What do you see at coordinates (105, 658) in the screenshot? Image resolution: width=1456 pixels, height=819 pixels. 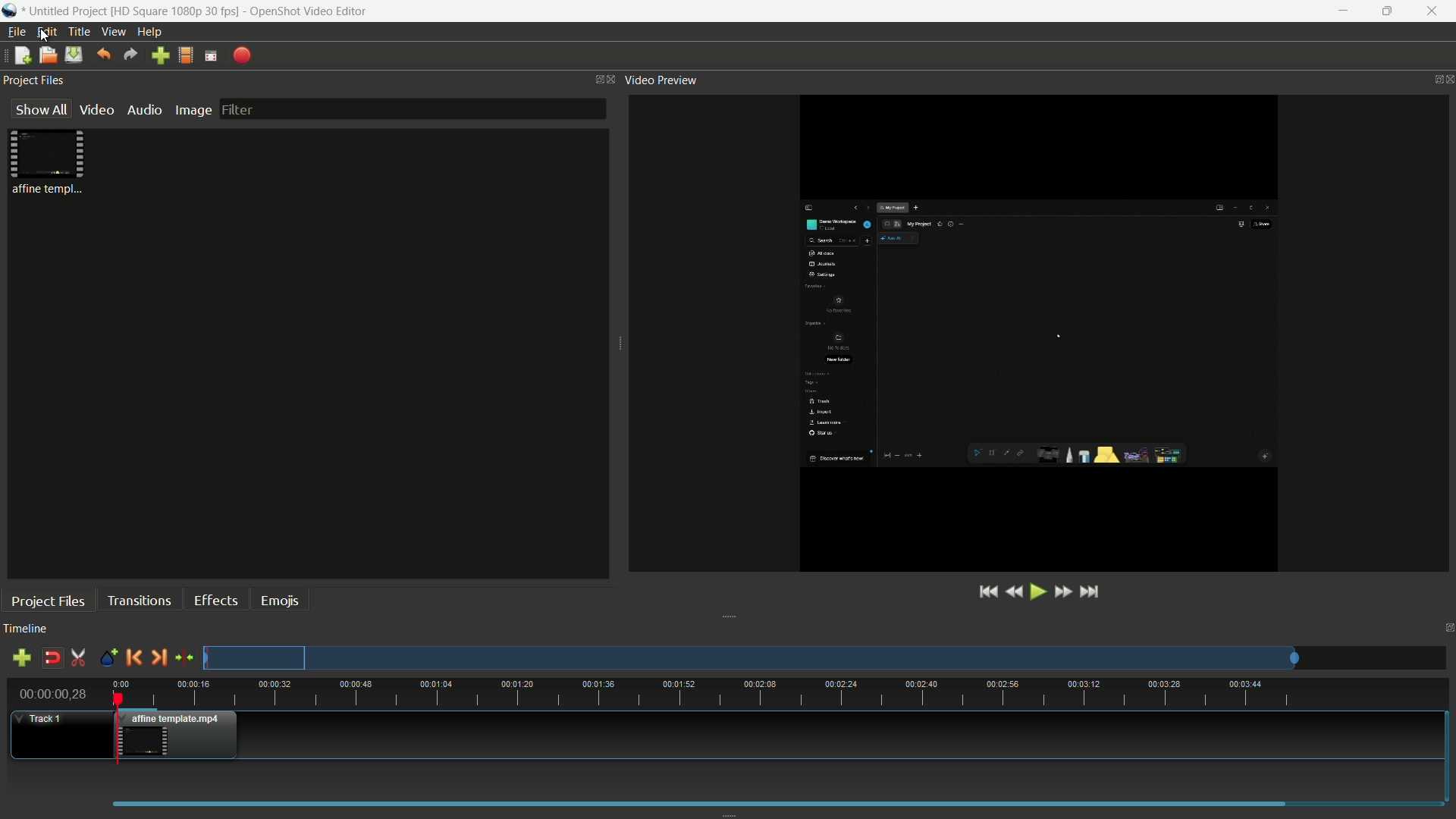 I see `create marker` at bounding box center [105, 658].